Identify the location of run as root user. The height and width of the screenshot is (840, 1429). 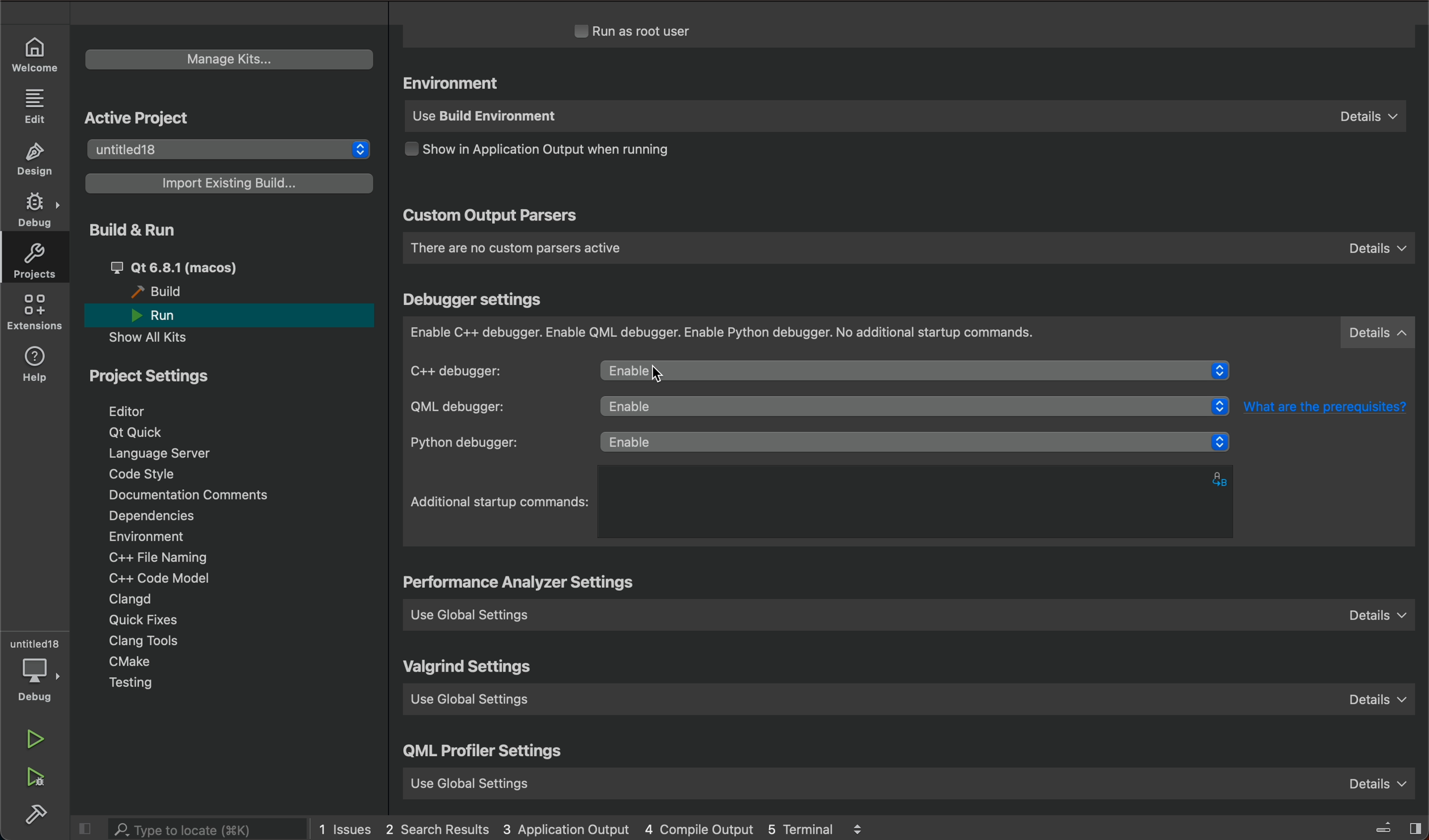
(647, 31).